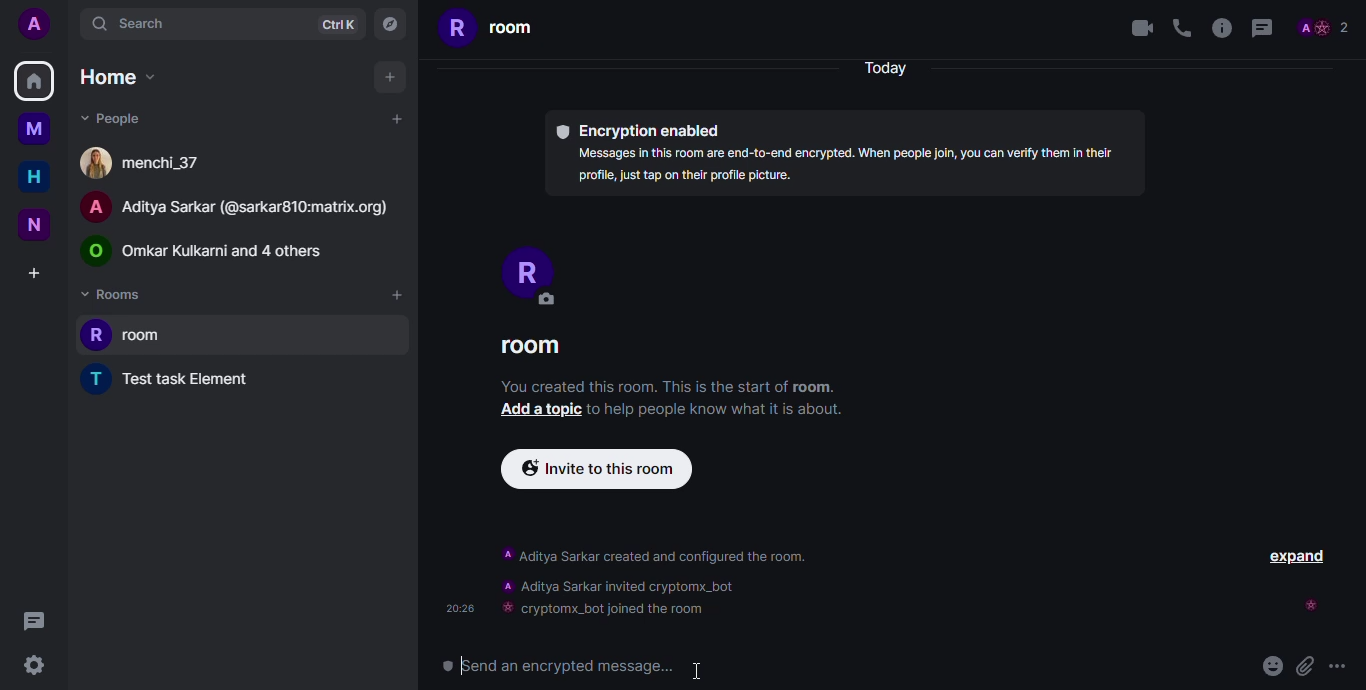 Image resolution: width=1366 pixels, height=690 pixels. What do you see at coordinates (548, 277) in the screenshot?
I see `PROFILE` at bounding box center [548, 277].